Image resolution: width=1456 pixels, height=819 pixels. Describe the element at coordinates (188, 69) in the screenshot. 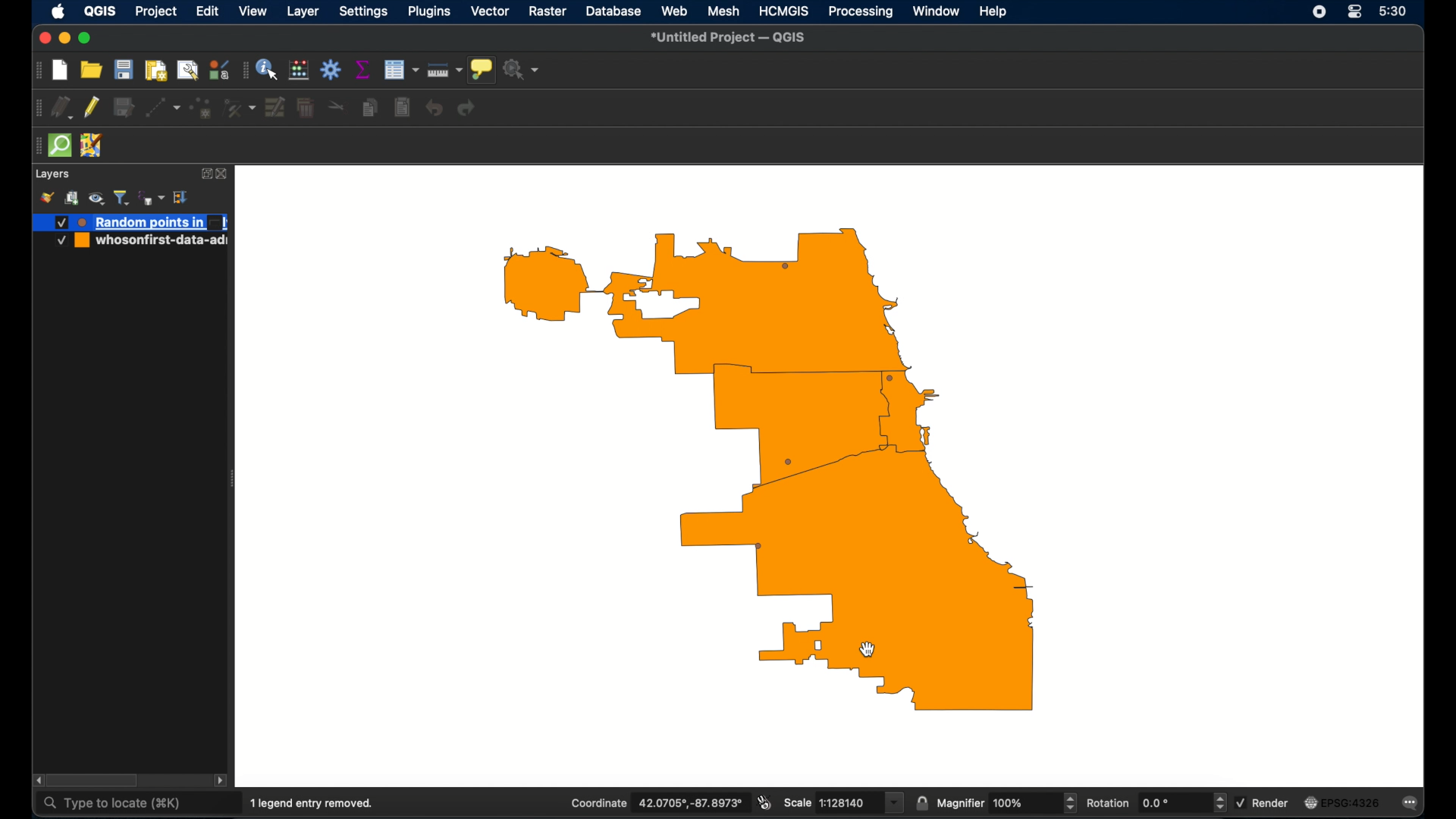

I see `open layout manager` at that location.